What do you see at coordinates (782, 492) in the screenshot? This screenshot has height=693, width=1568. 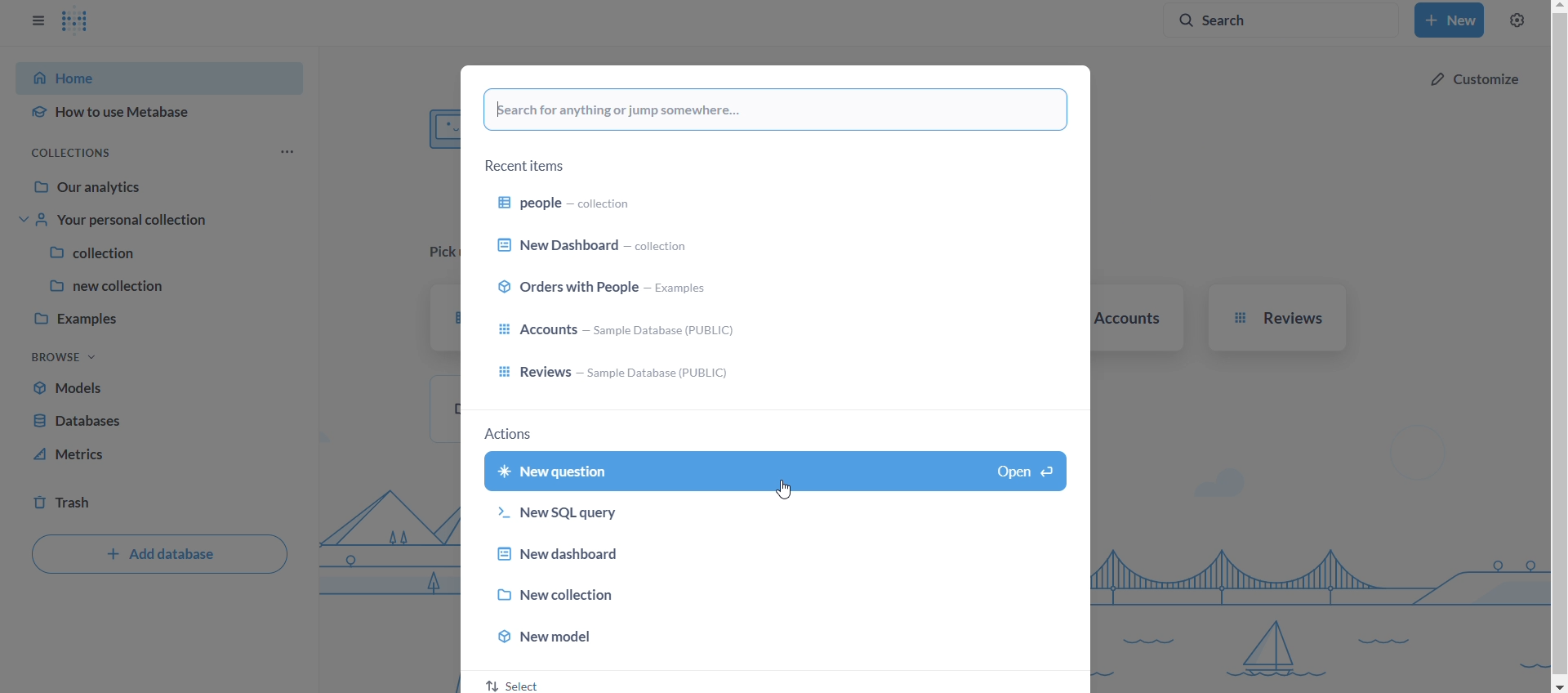 I see `Cursor` at bounding box center [782, 492].